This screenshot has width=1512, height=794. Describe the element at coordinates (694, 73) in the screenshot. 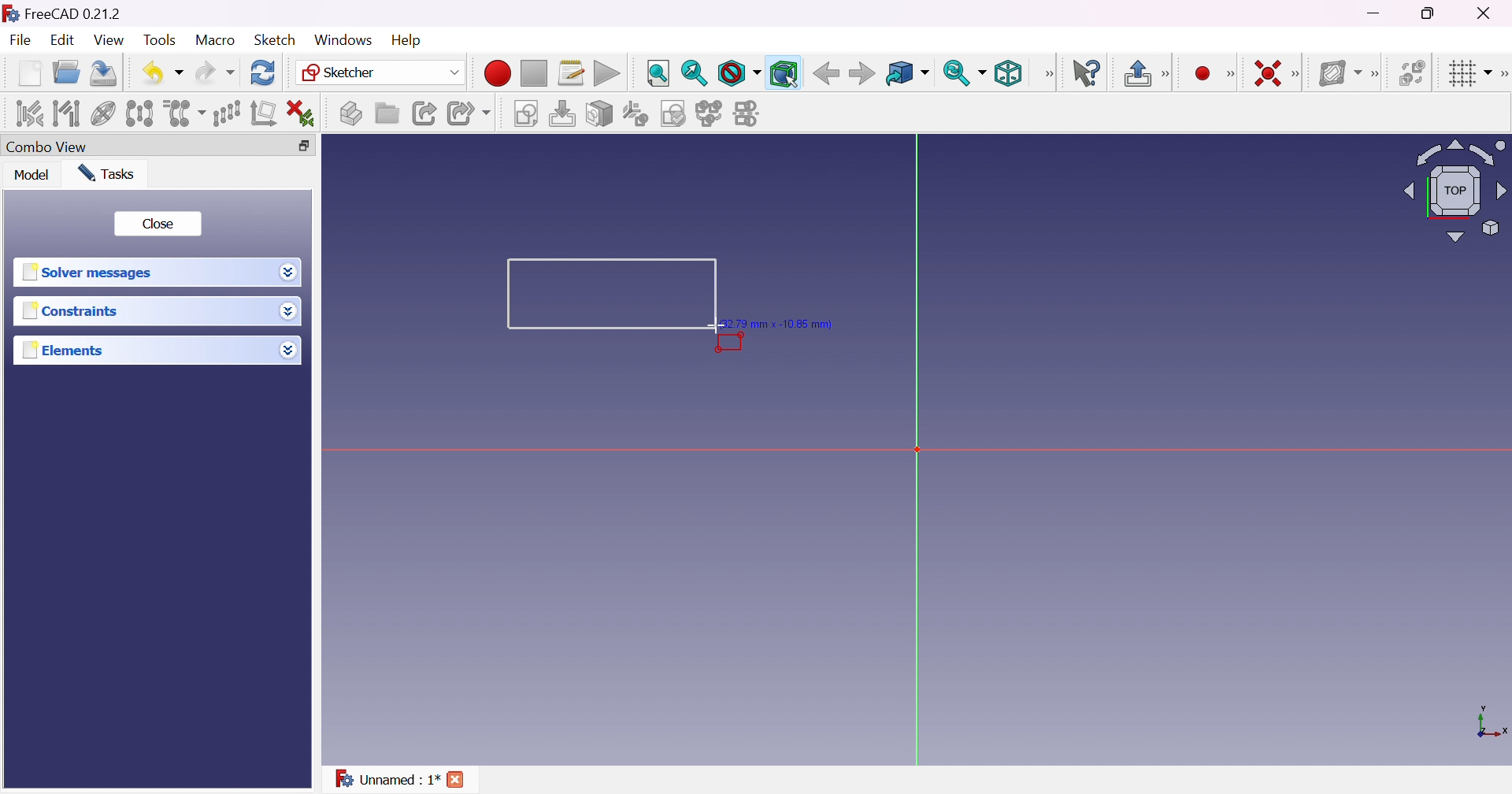

I see `Fit selection` at that location.